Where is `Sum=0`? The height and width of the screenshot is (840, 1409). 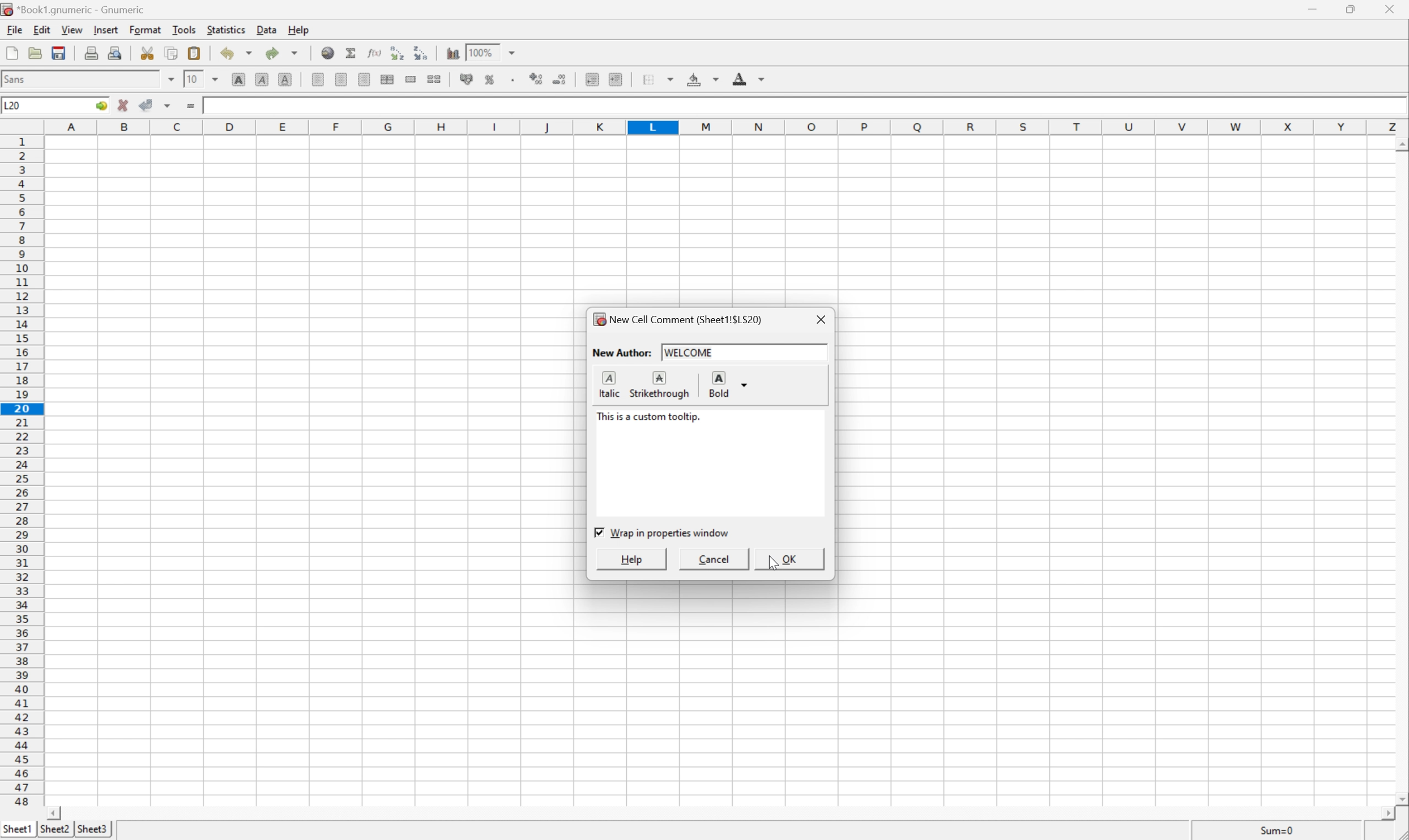 Sum=0 is located at coordinates (1274, 831).